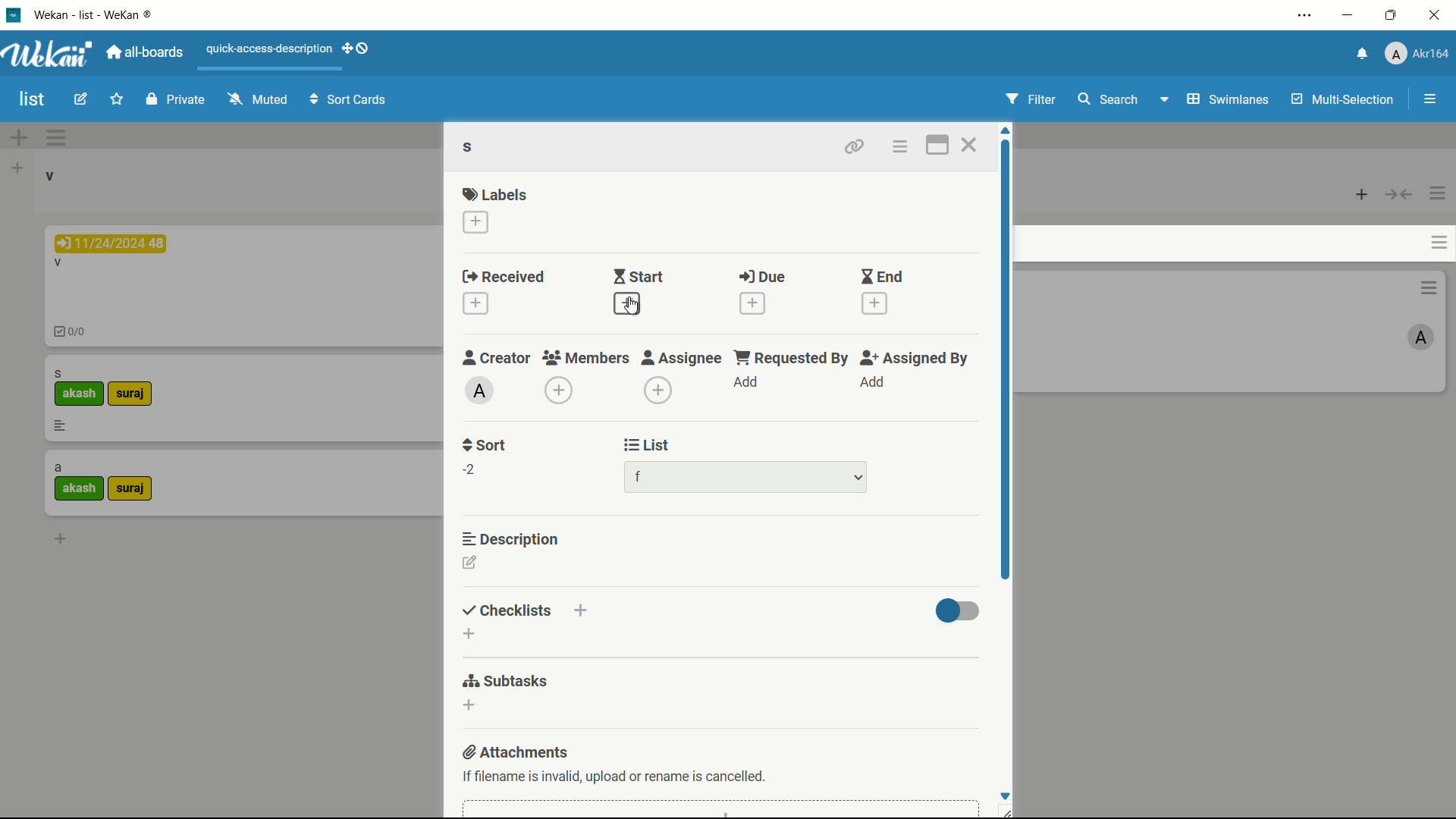 Image resolution: width=1456 pixels, height=819 pixels. What do you see at coordinates (632, 306) in the screenshot?
I see `cursor` at bounding box center [632, 306].